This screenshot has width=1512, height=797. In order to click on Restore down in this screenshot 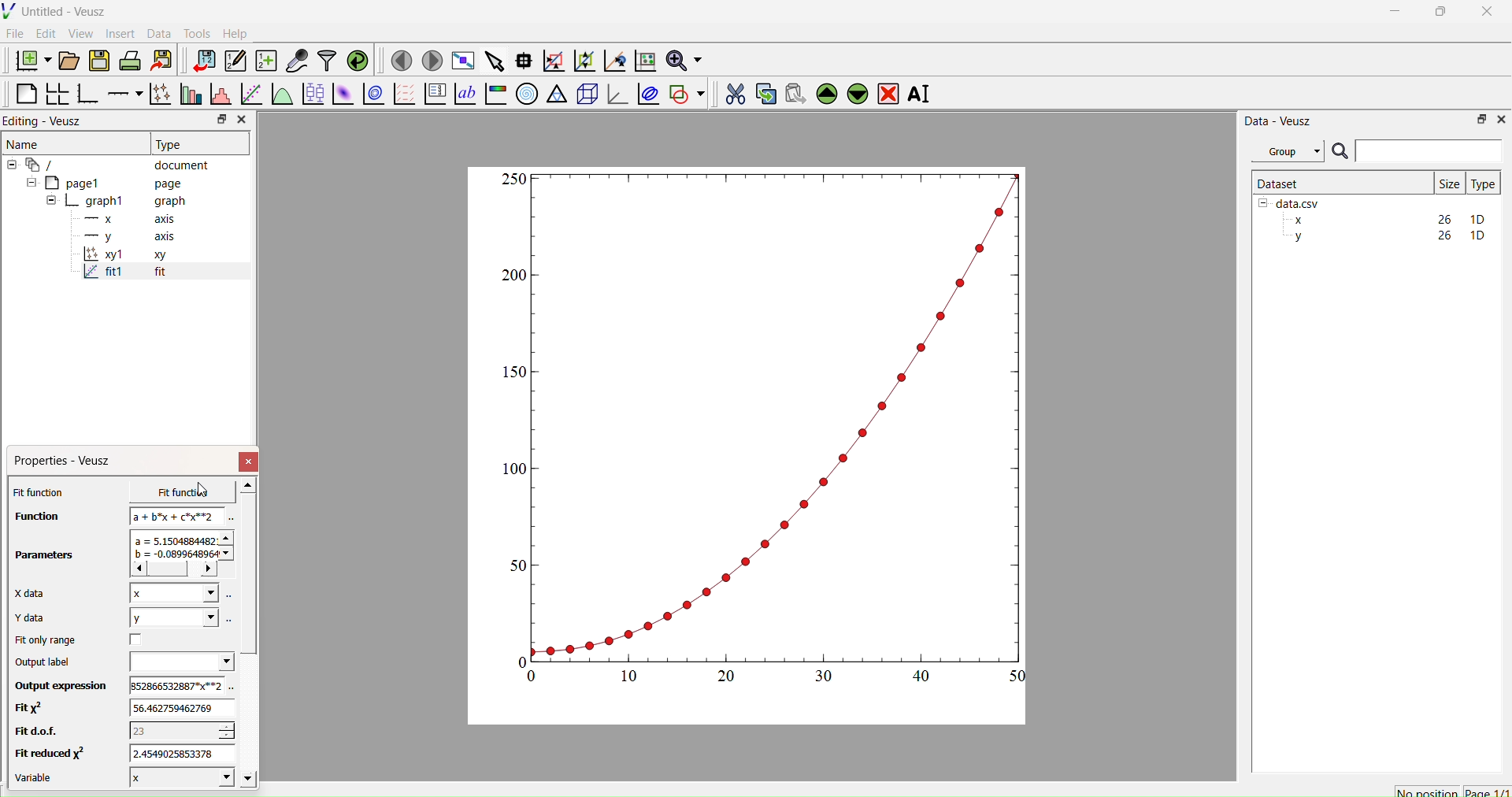, I will do `click(218, 120)`.